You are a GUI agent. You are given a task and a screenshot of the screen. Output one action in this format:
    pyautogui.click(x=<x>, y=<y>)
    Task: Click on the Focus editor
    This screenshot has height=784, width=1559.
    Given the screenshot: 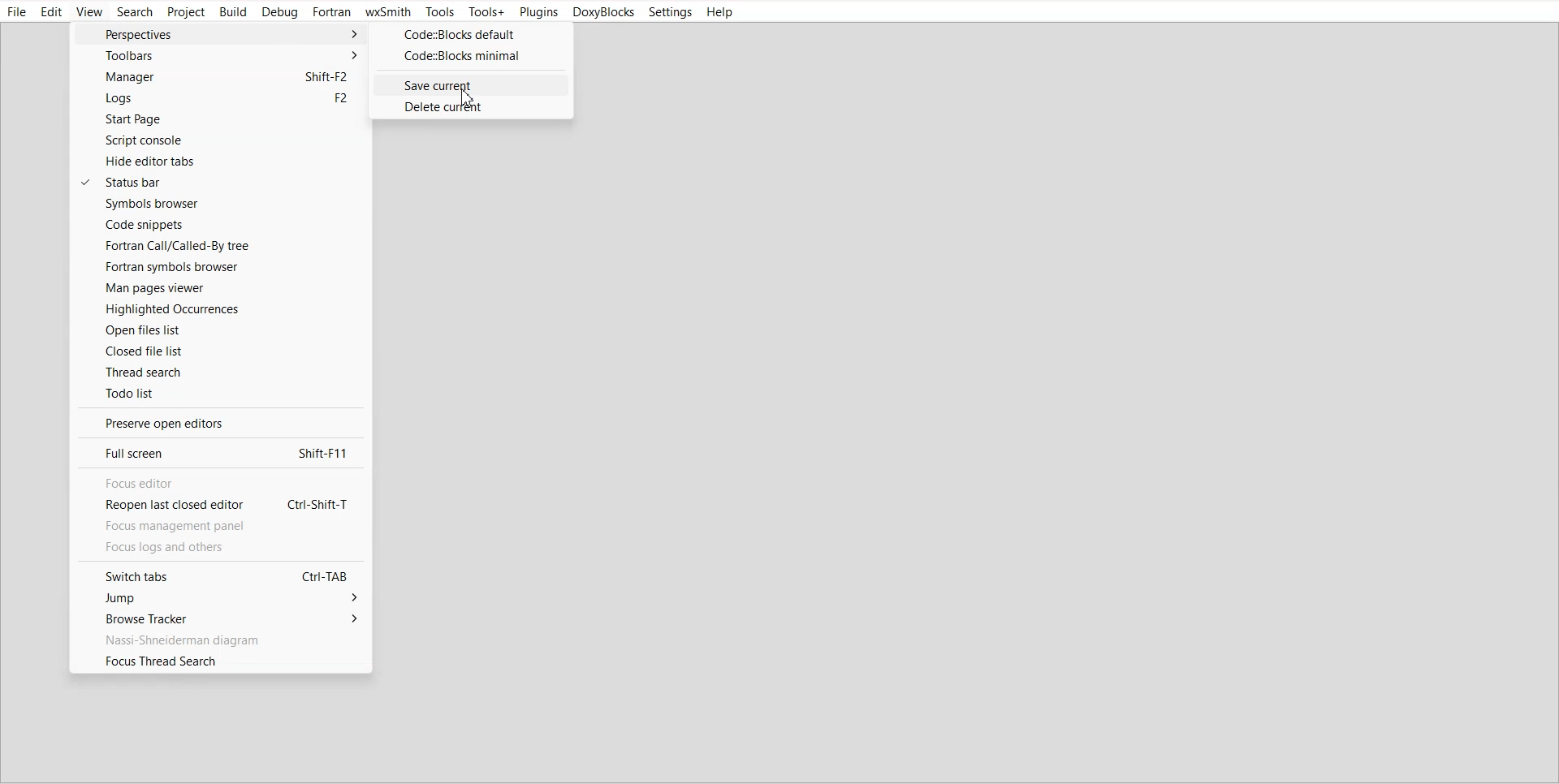 What is the action you would take?
    pyautogui.click(x=216, y=483)
    